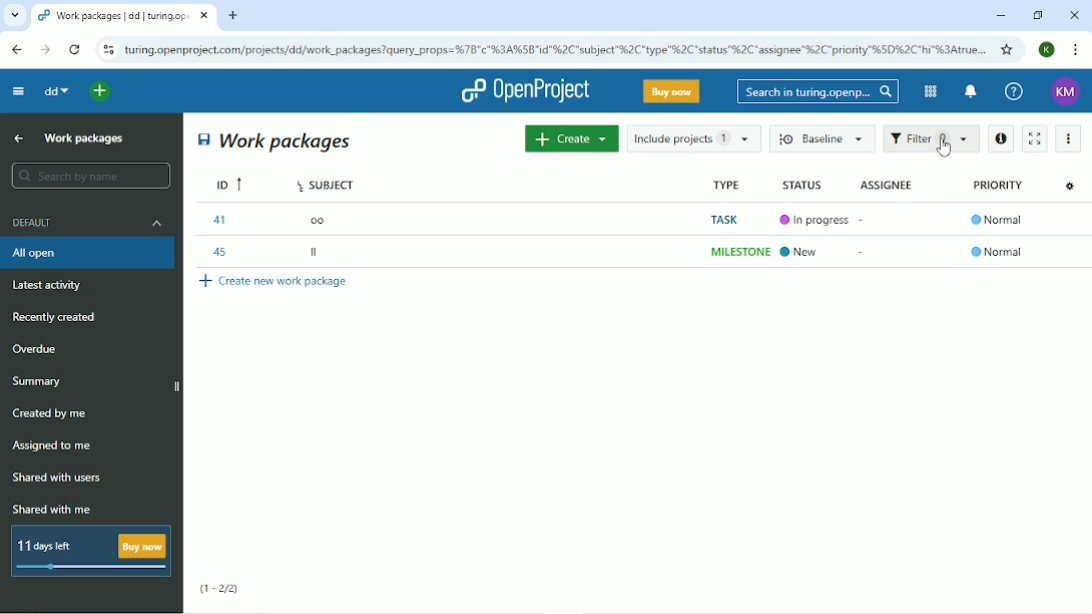 The height and width of the screenshot is (614, 1092). Describe the element at coordinates (89, 551) in the screenshot. I see `11 days left buy now` at that location.